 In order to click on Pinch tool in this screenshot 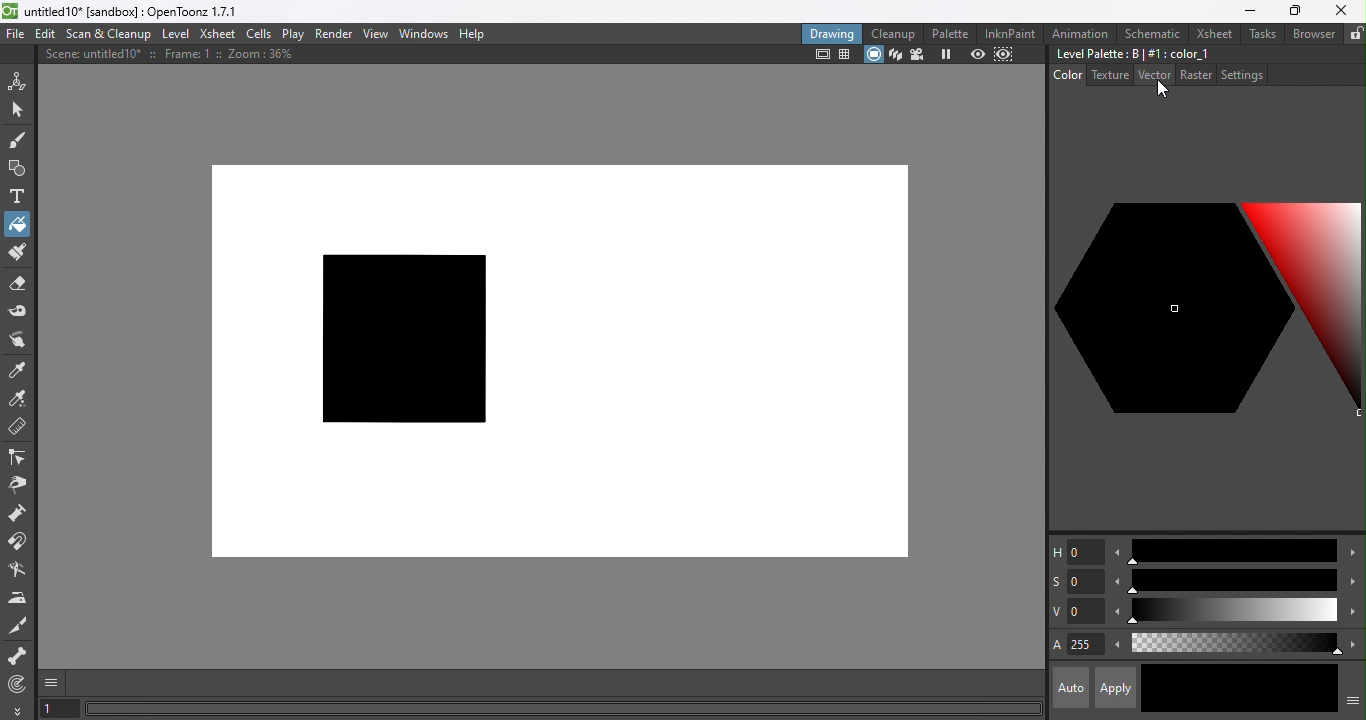, I will do `click(21, 484)`.